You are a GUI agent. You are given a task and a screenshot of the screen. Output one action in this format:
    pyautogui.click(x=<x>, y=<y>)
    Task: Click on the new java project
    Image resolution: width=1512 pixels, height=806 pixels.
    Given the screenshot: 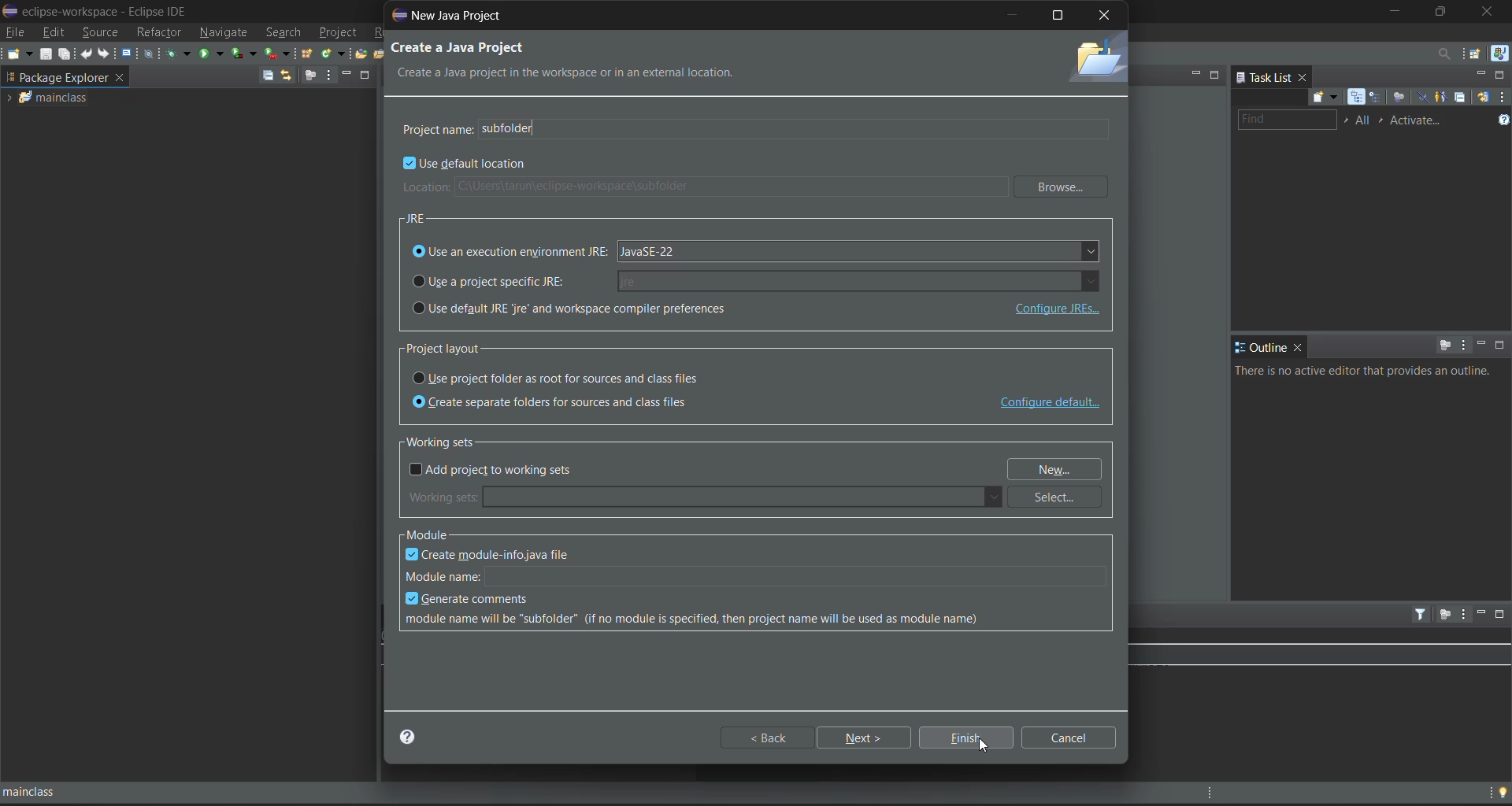 What is the action you would take?
    pyautogui.click(x=458, y=15)
    